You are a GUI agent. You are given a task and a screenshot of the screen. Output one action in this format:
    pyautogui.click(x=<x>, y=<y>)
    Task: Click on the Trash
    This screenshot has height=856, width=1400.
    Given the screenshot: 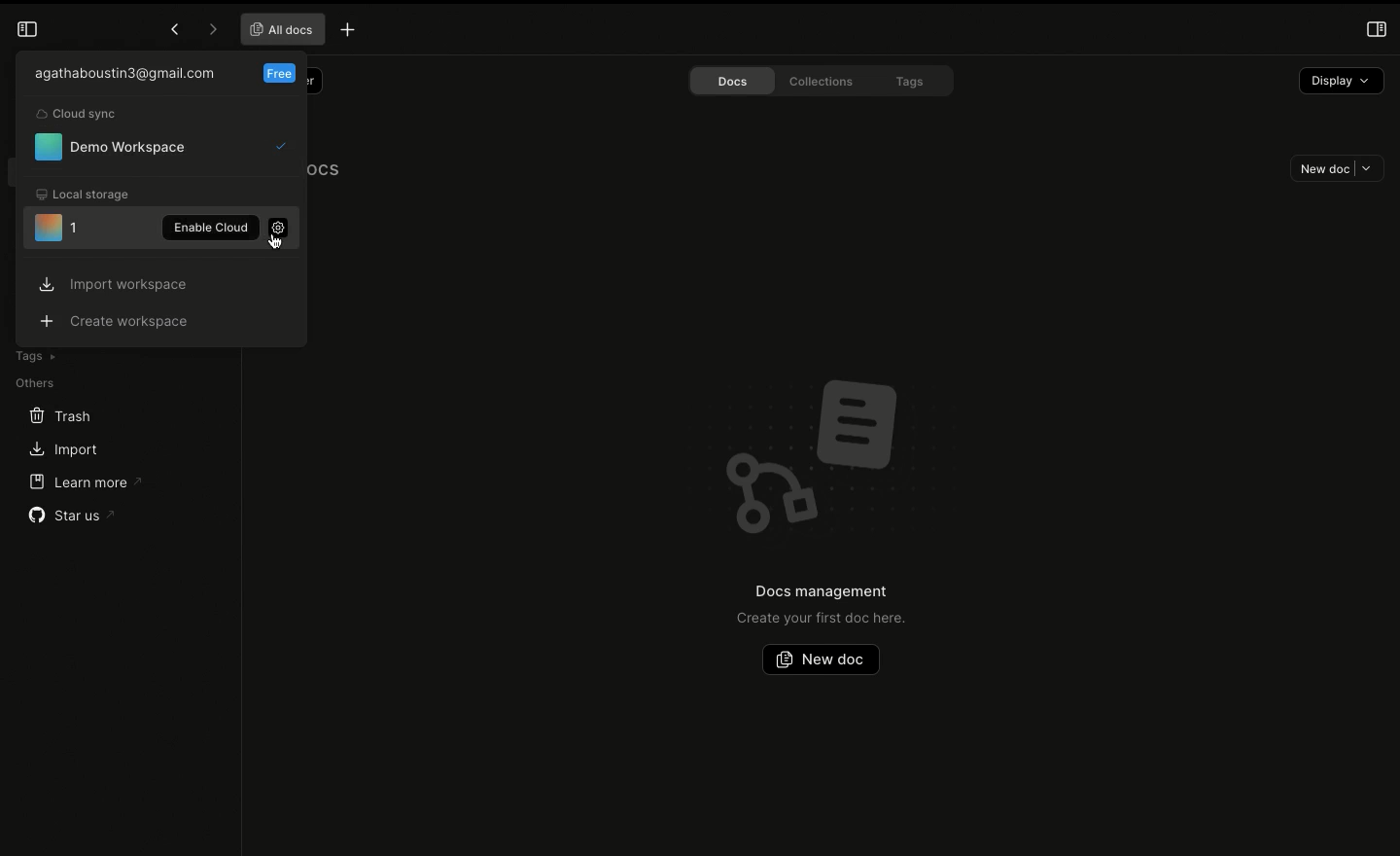 What is the action you would take?
    pyautogui.click(x=62, y=415)
    